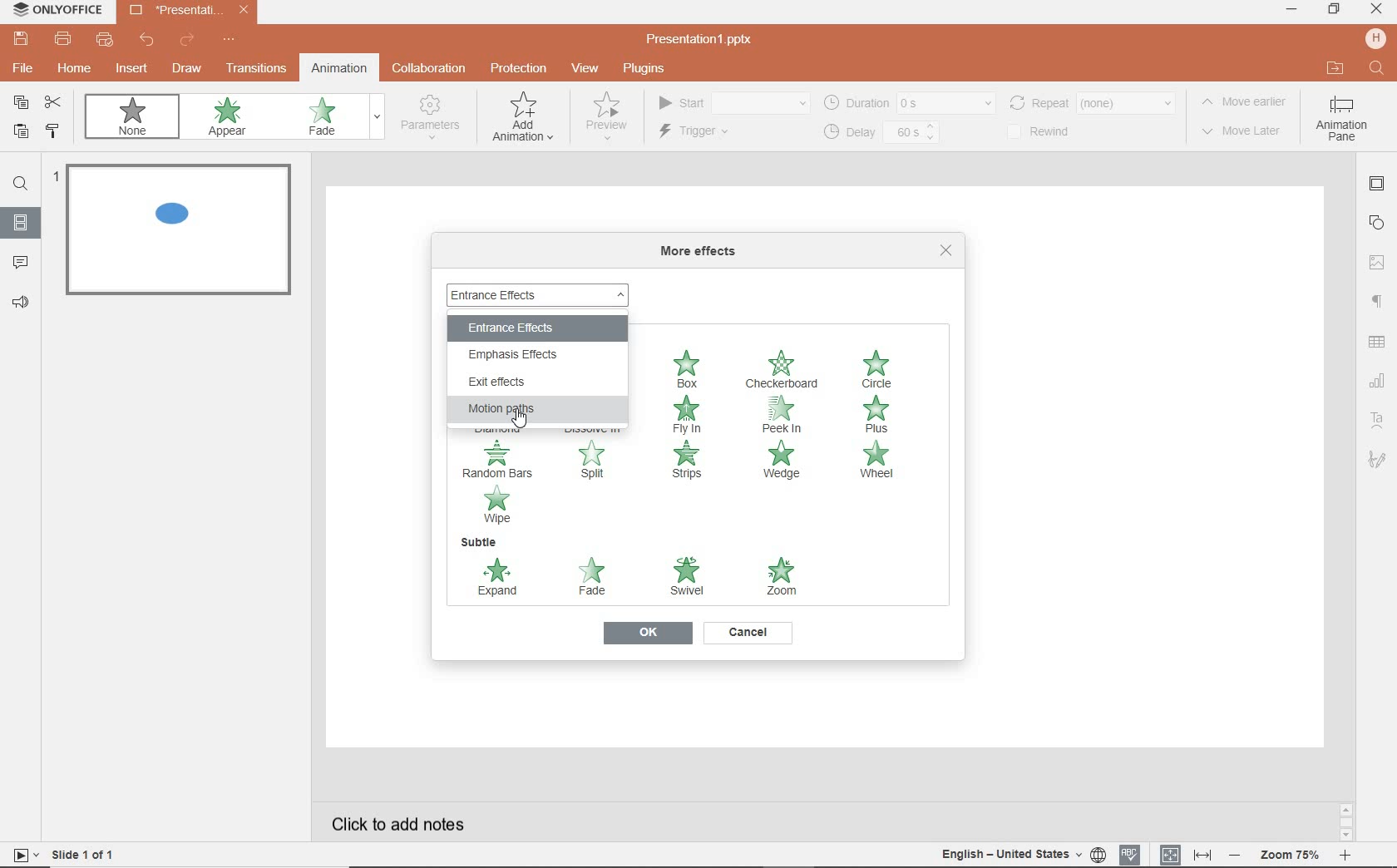  What do you see at coordinates (1292, 853) in the screenshot?
I see `zoom` at bounding box center [1292, 853].